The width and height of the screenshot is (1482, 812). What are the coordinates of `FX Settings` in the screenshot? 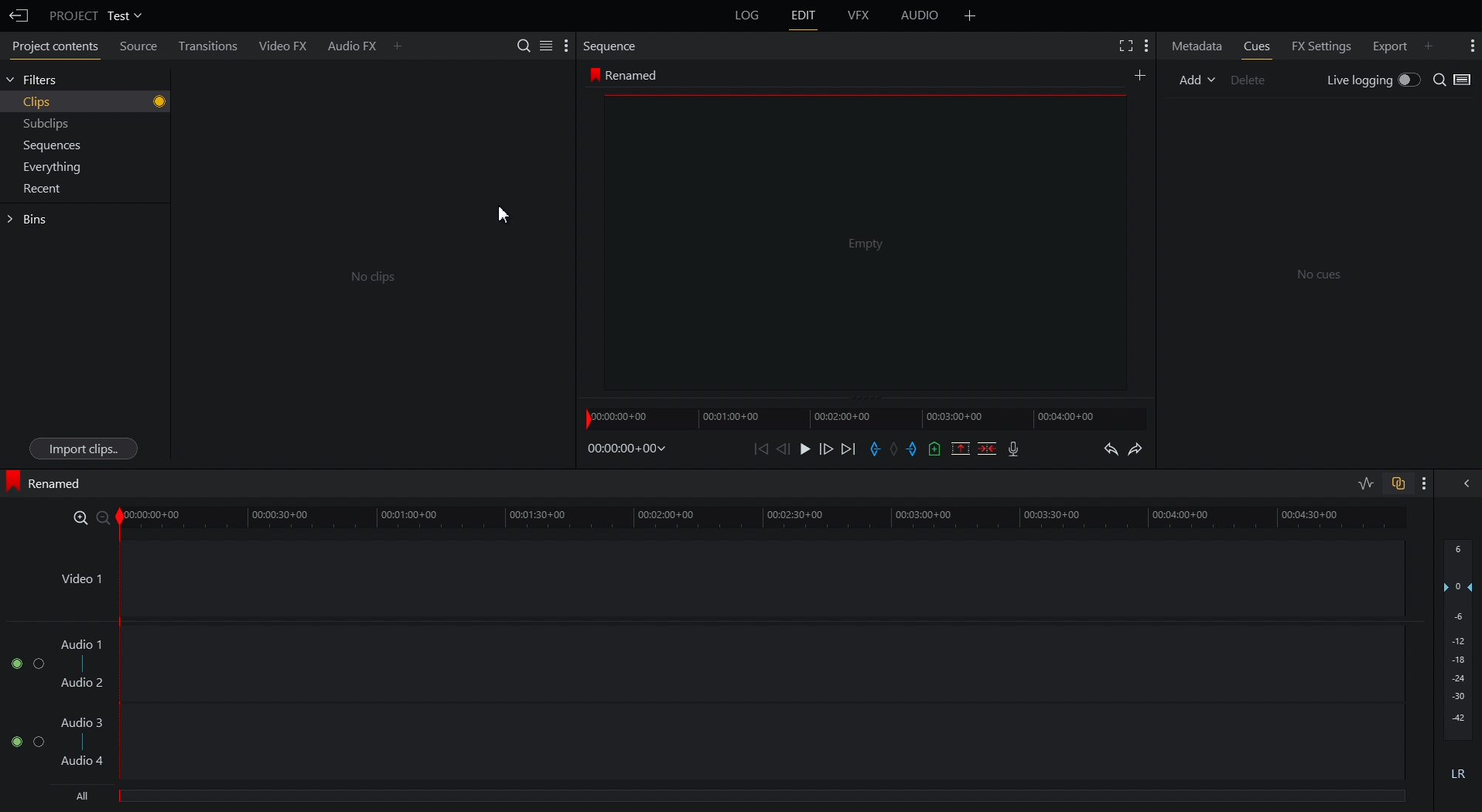 It's located at (1325, 44).